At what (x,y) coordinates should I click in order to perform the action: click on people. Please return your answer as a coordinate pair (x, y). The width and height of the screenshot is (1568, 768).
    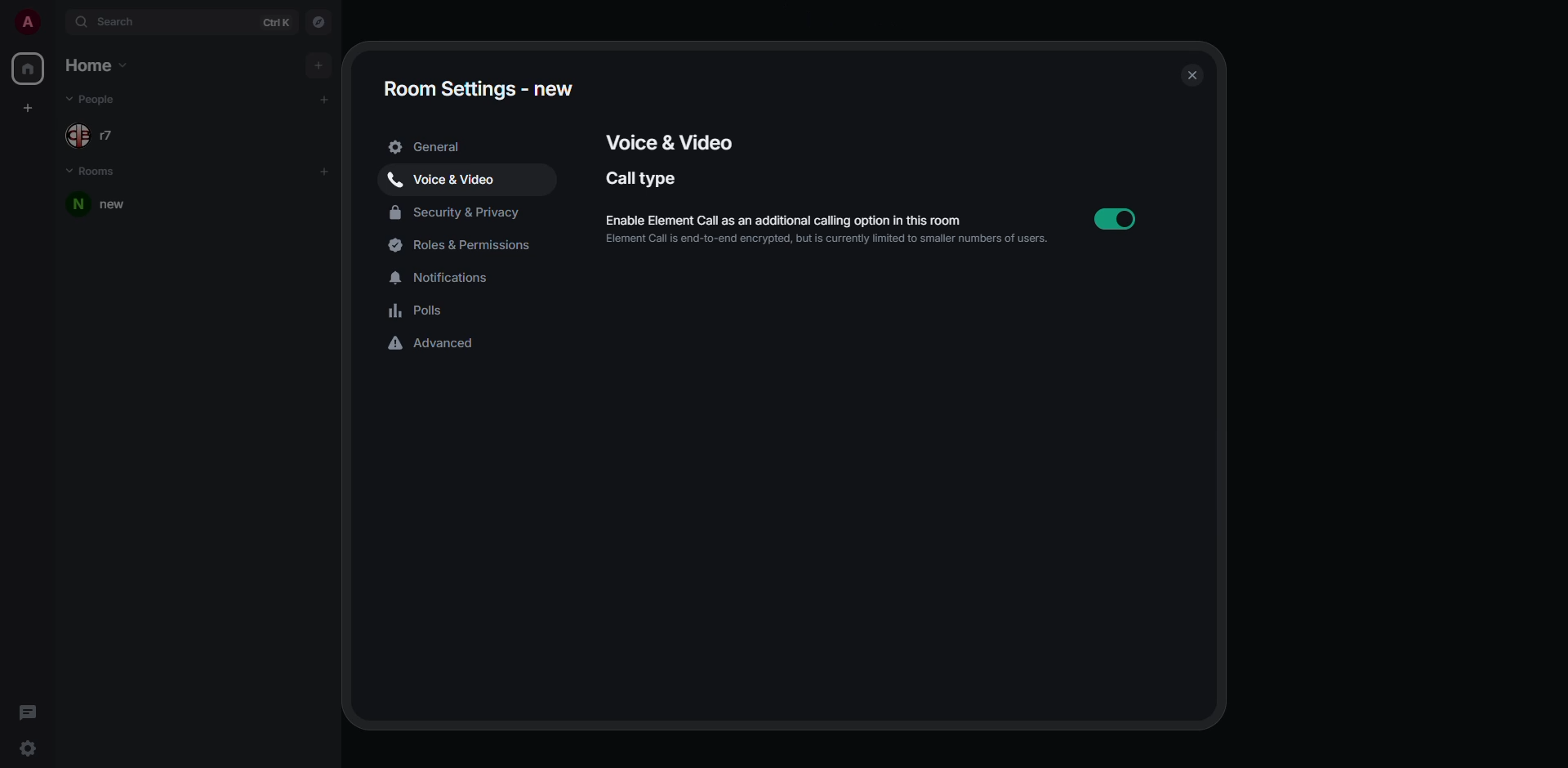
    Looking at the image, I should click on (91, 100).